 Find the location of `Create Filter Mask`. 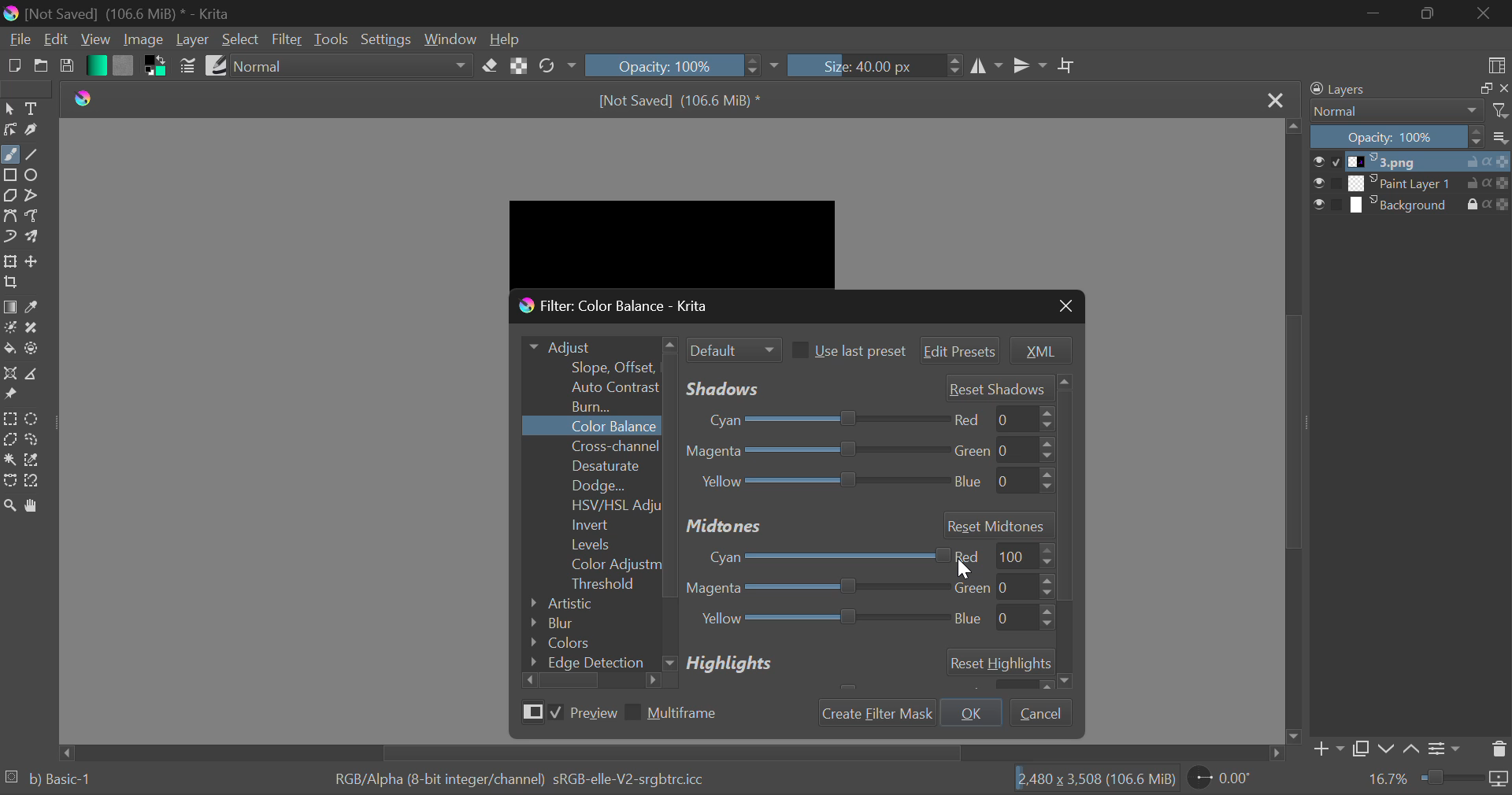

Create Filter Mask is located at coordinates (879, 712).